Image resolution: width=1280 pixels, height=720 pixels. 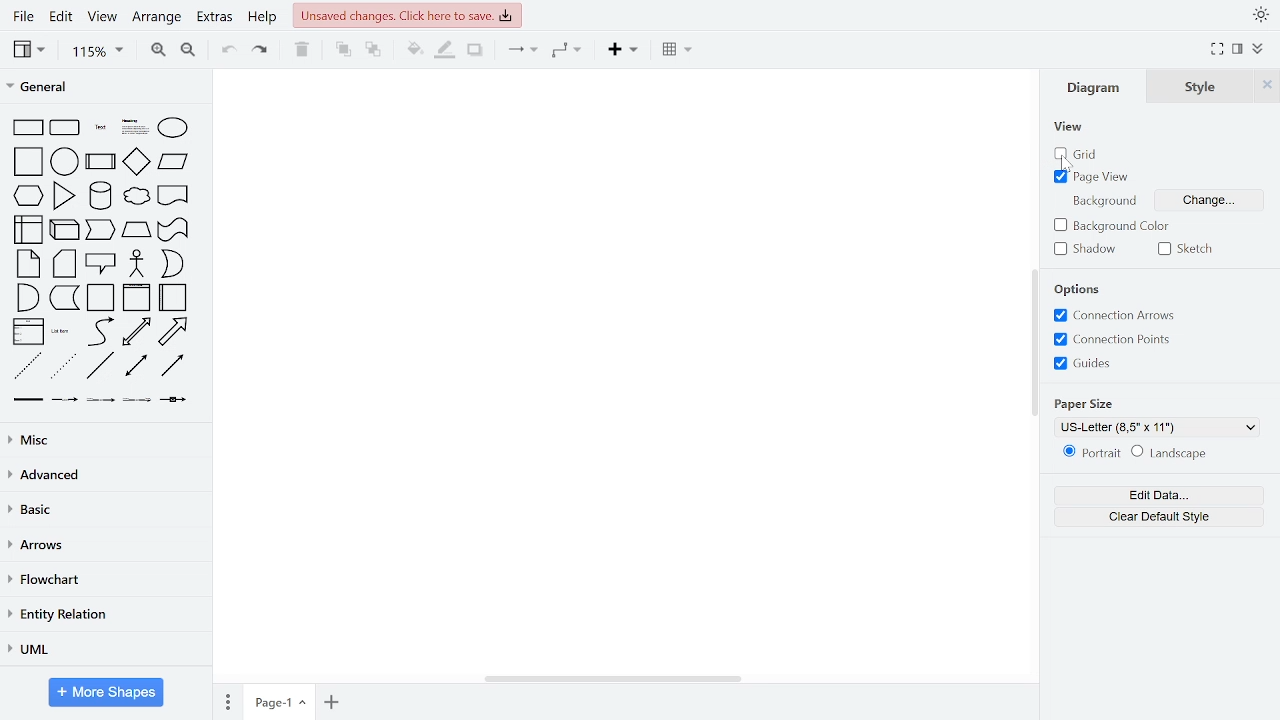 What do you see at coordinates (262, 18) in the screenshot?
I see `help` at bounding box center [262, 18].